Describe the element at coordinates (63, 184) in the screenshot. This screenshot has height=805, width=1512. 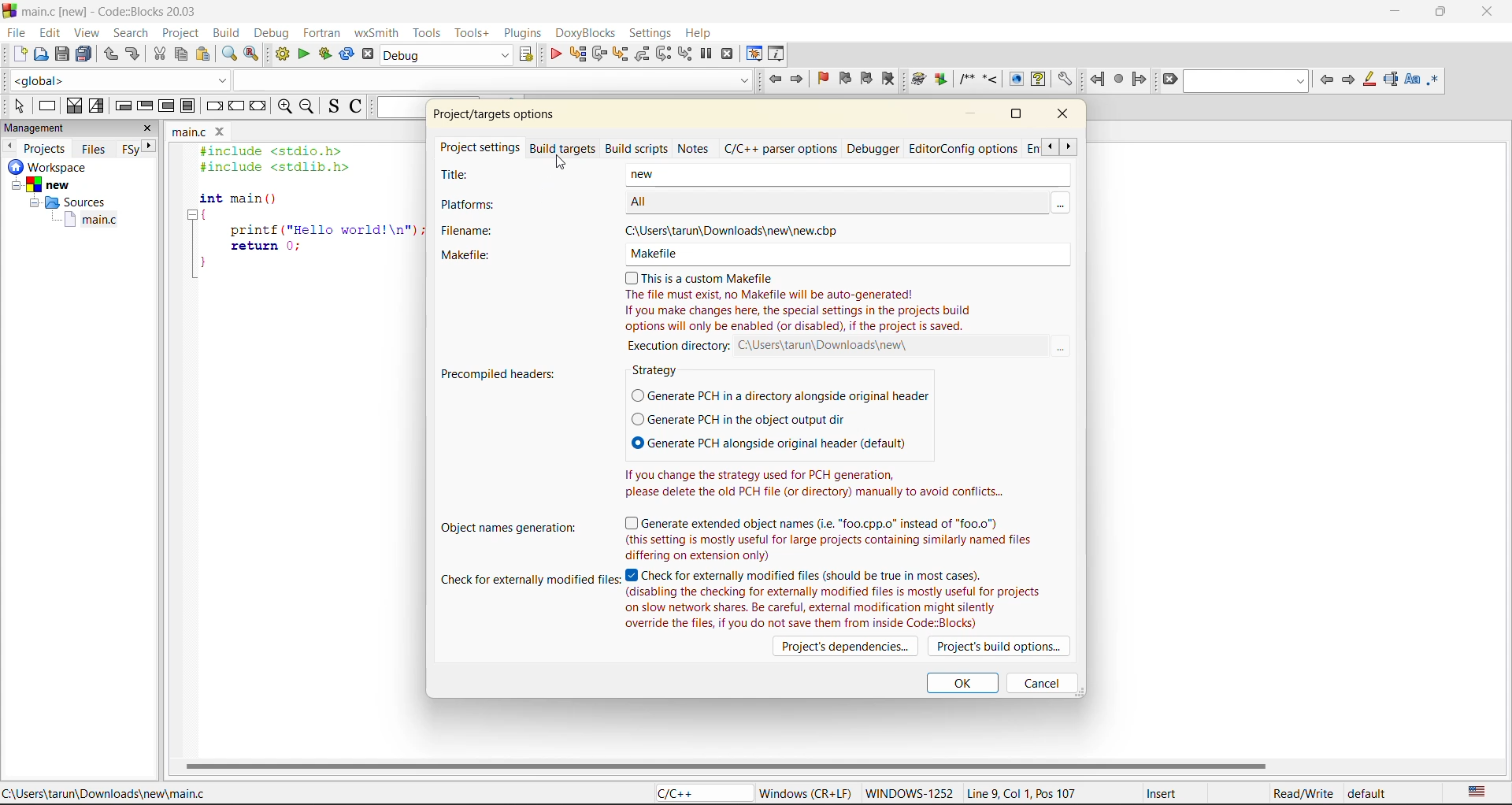
I see `new` at that location.